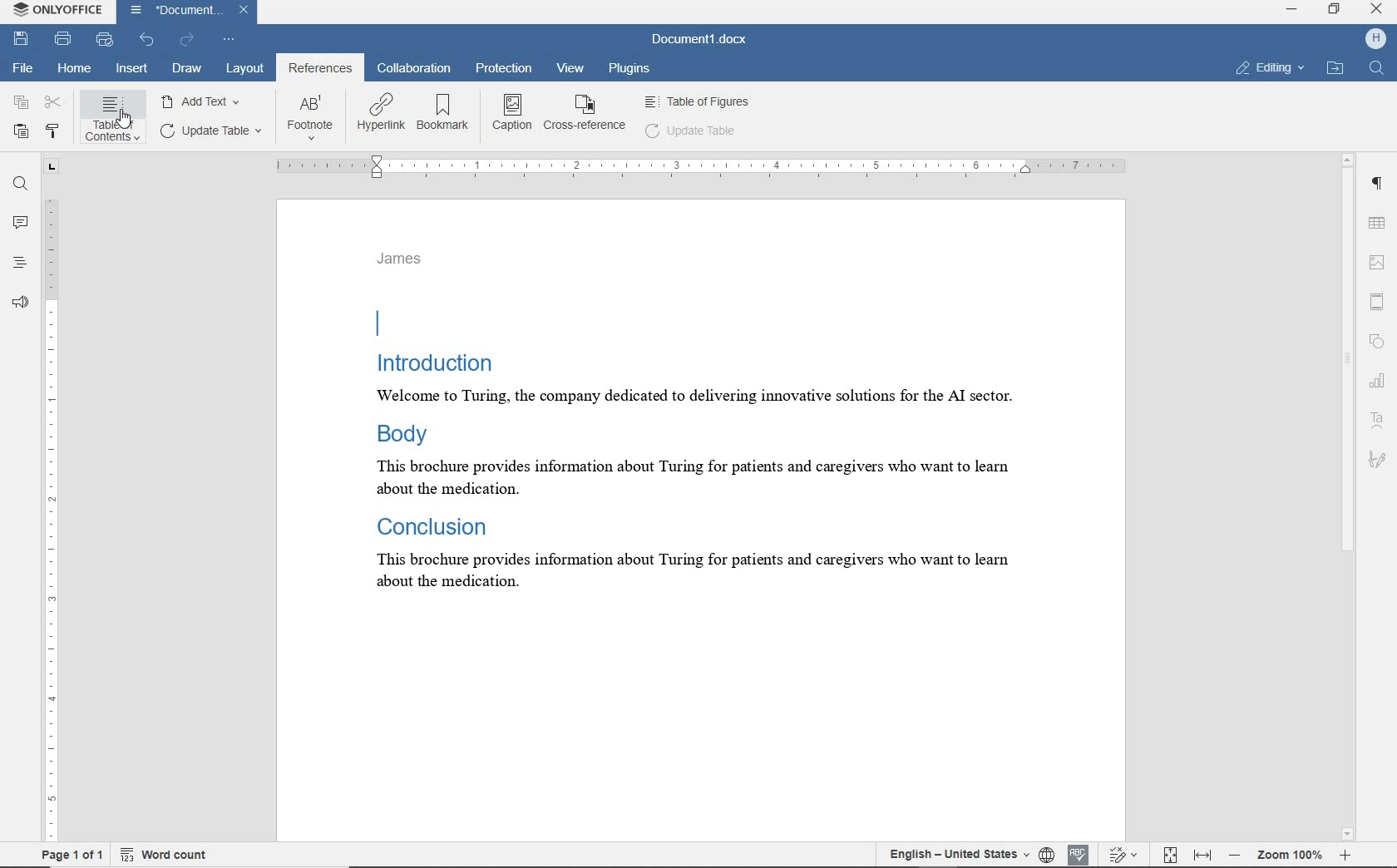 The image size is (1397, 868). I want to click on copy style, so click(55, 129).